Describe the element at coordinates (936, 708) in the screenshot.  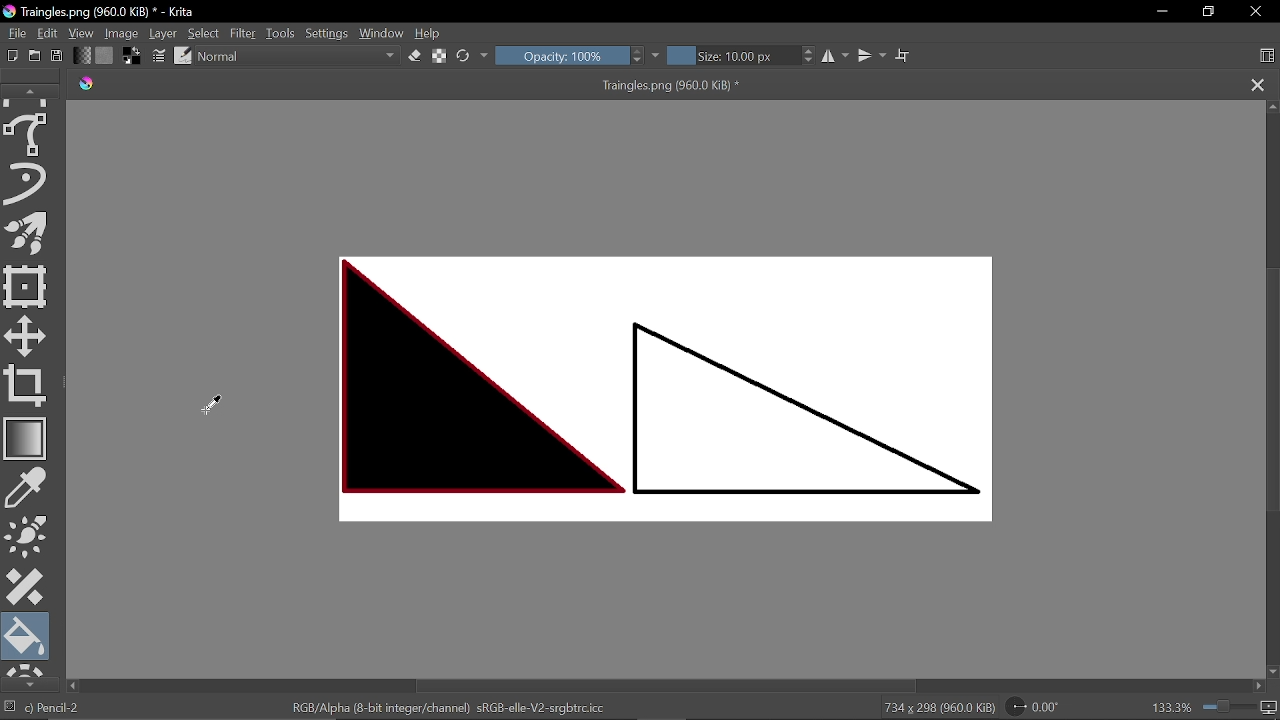
I see `734 x 298 (960.0 KiB)` at that location.